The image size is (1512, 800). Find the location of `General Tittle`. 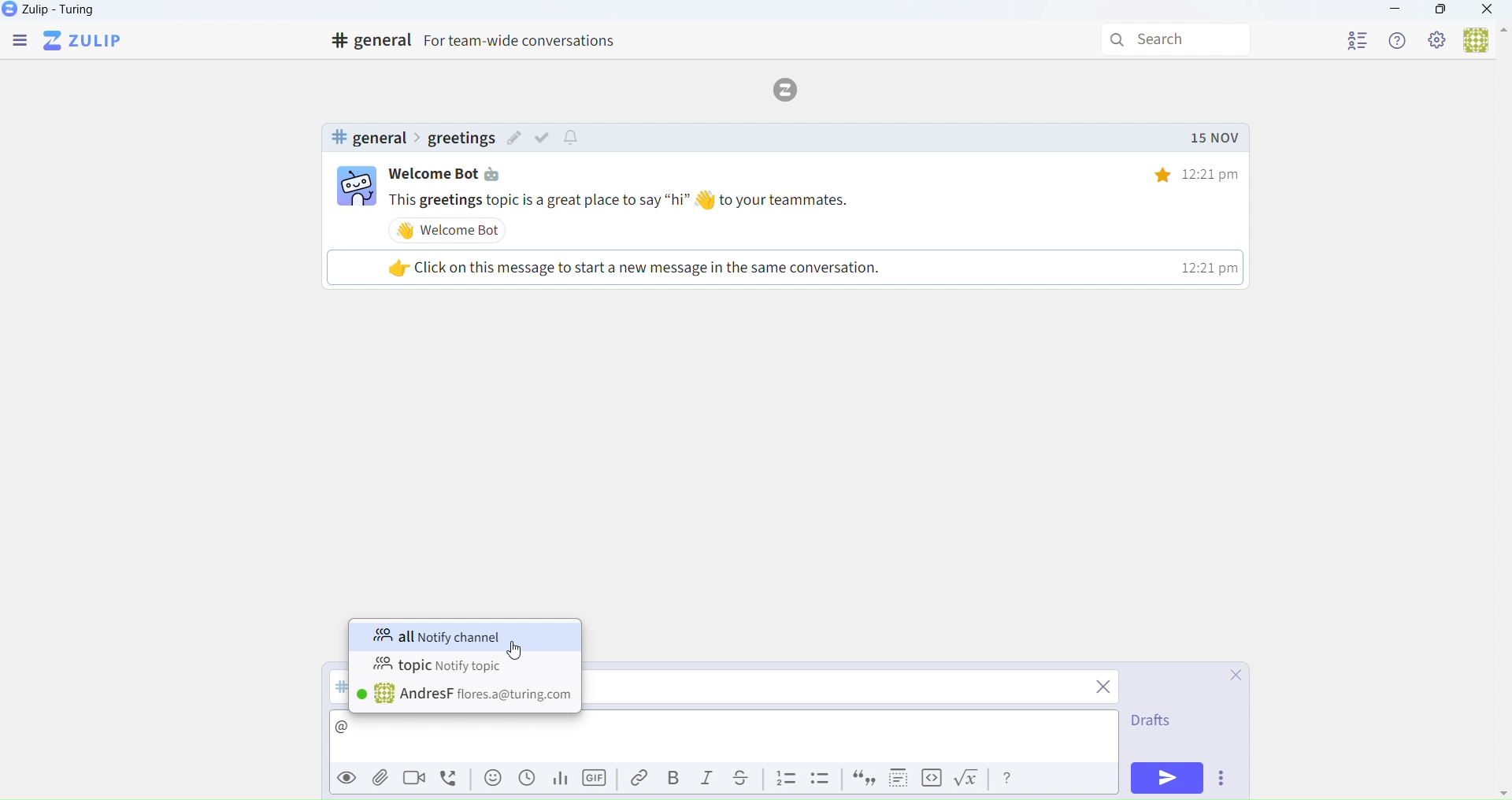

General Tittle is located at coordinates (480, 41).